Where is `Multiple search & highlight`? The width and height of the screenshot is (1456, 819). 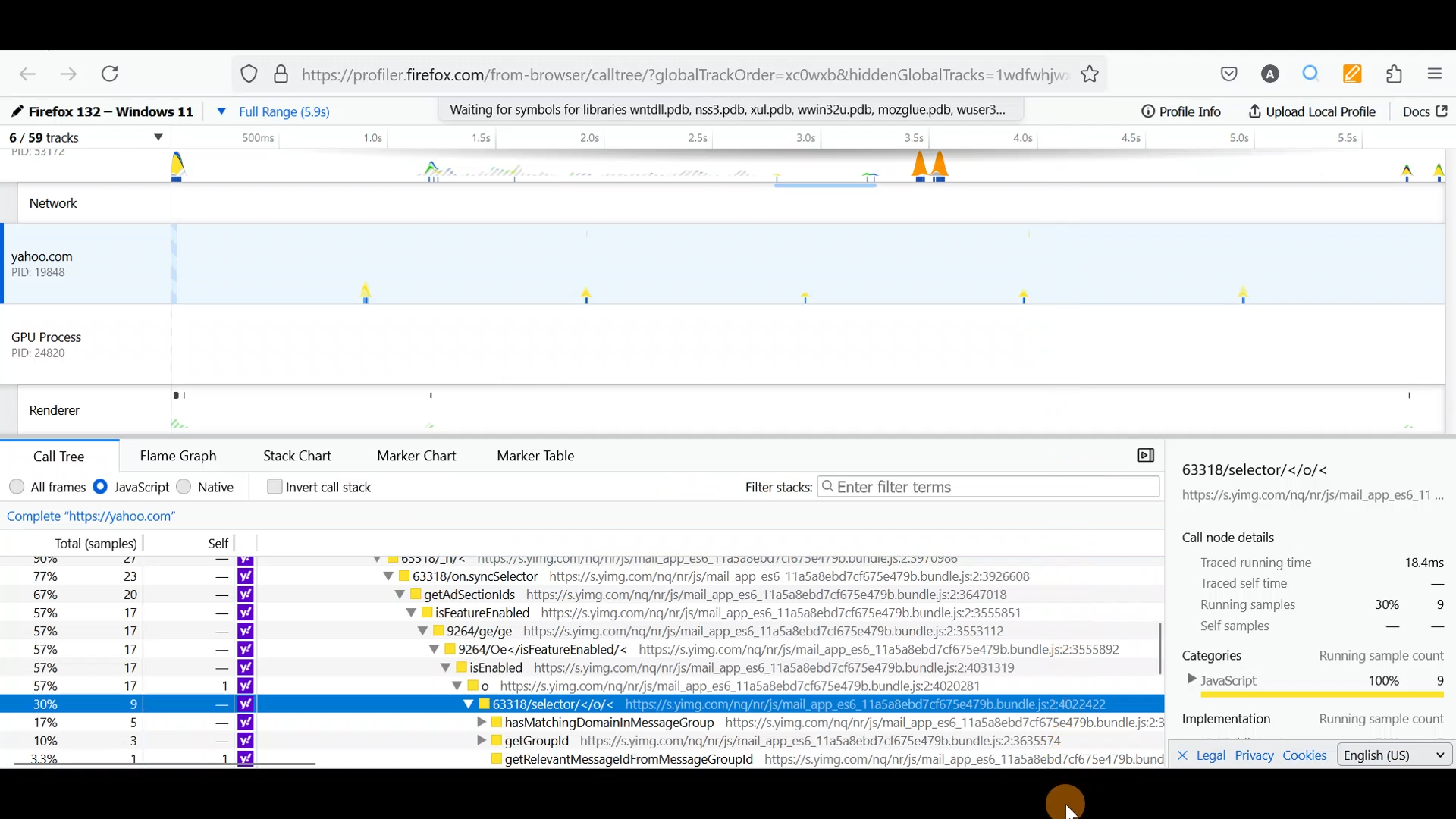 Multiple search & highlight is located at coordinates (1316, 73).